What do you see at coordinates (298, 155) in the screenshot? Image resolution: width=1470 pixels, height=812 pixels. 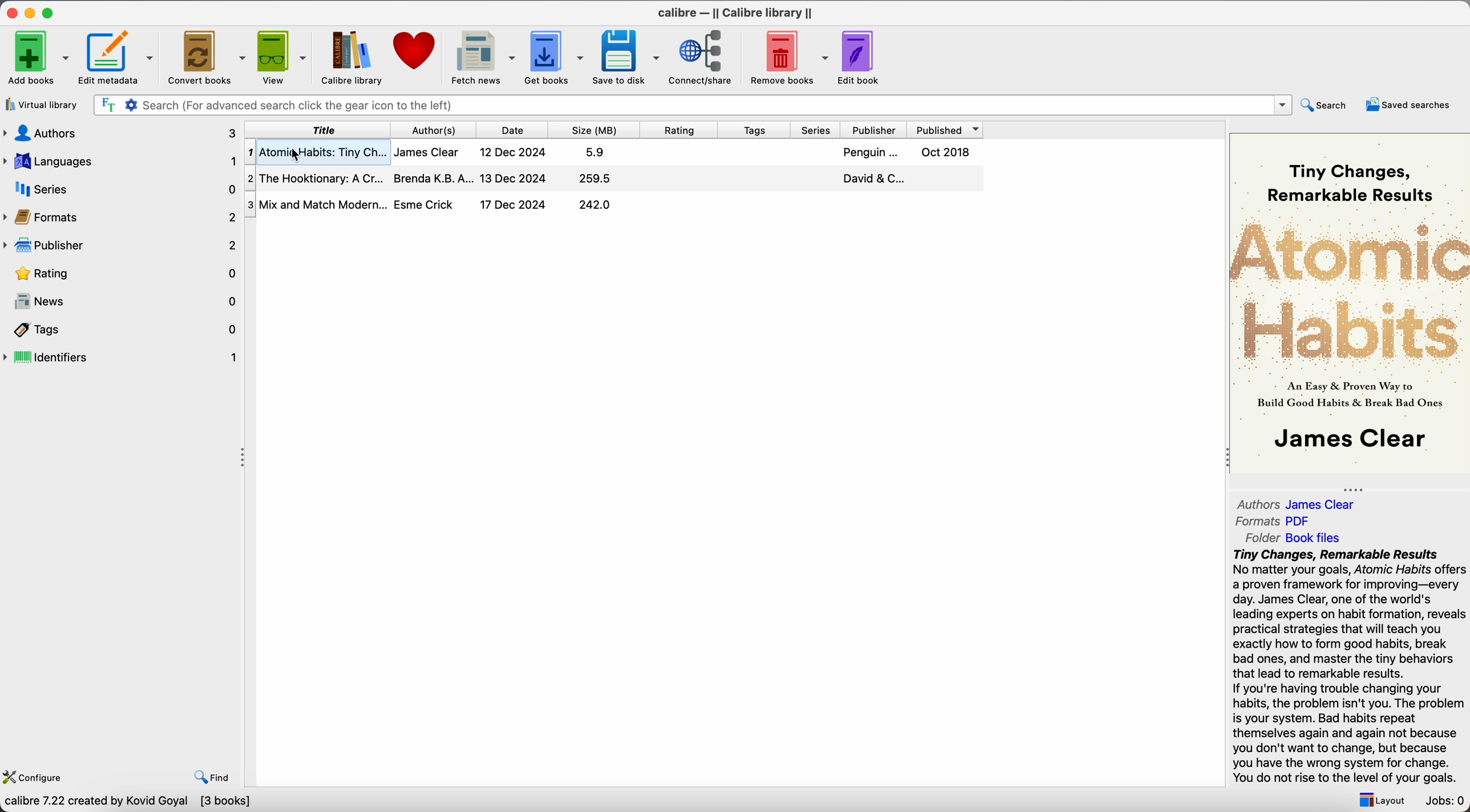 I see `Cursor` at bounding box center [298, 155].